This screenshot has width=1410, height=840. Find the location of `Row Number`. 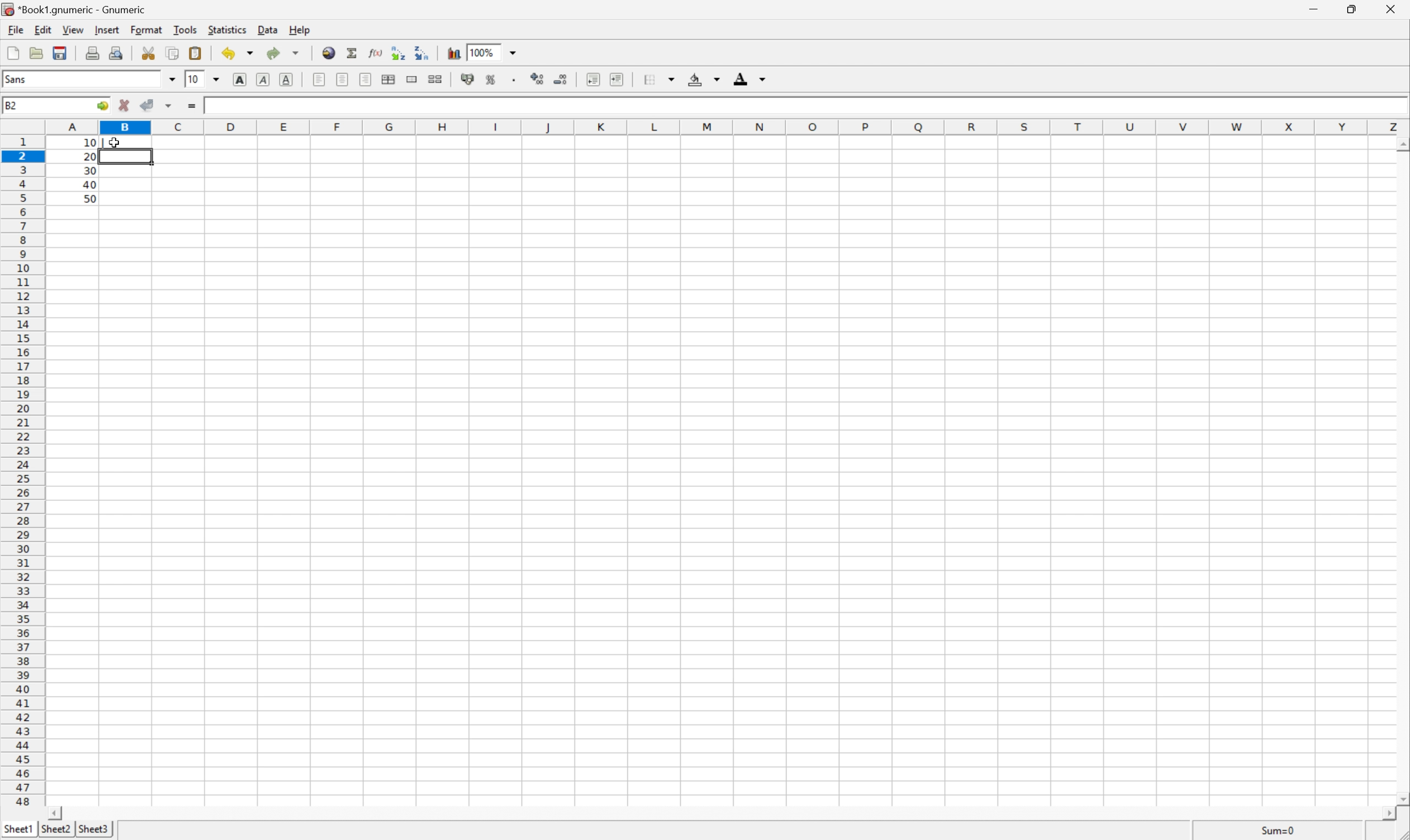

Row Number is located at coordinates (22, 472).